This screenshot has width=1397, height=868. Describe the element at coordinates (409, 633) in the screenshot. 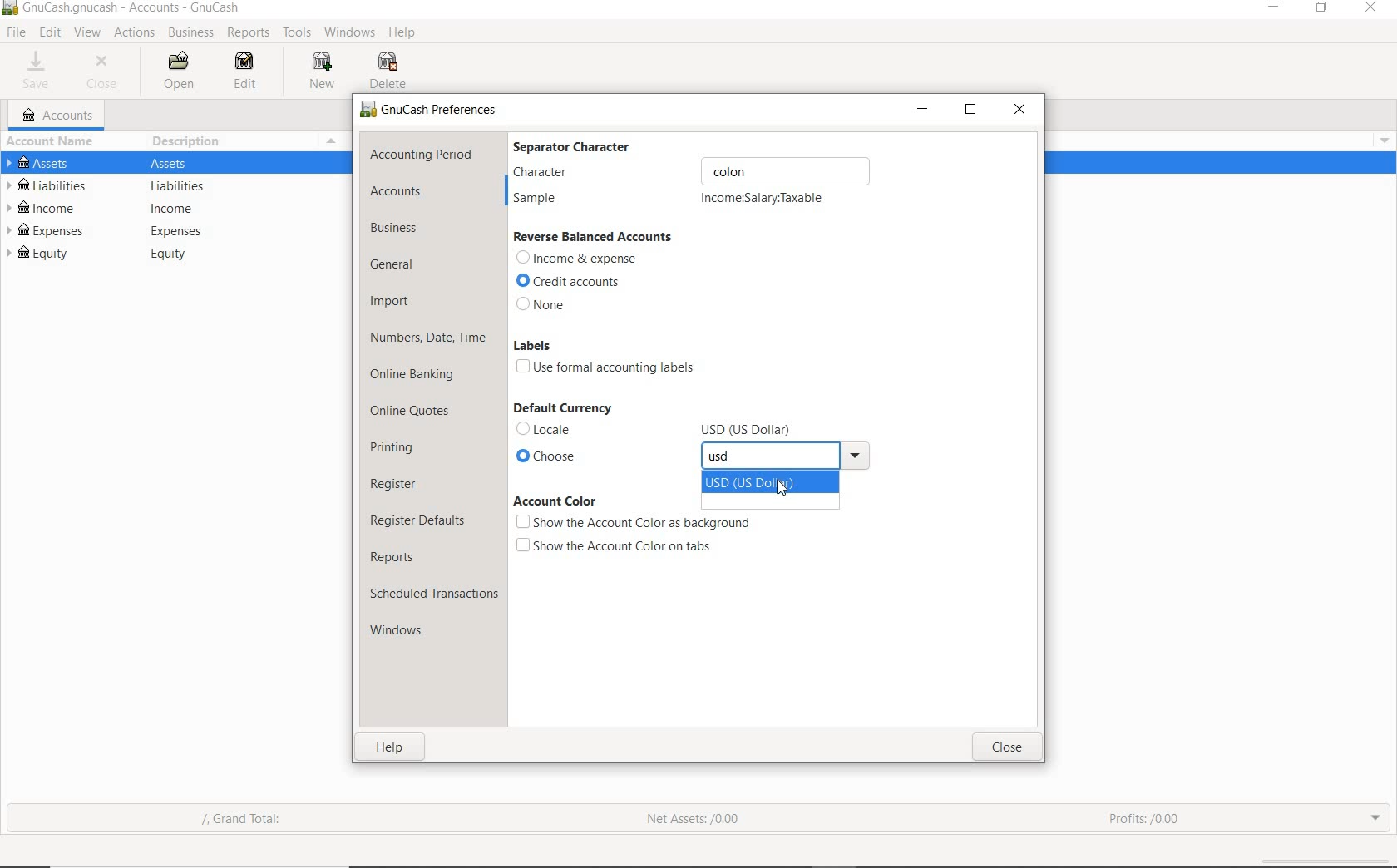

I see `windows` at that location.